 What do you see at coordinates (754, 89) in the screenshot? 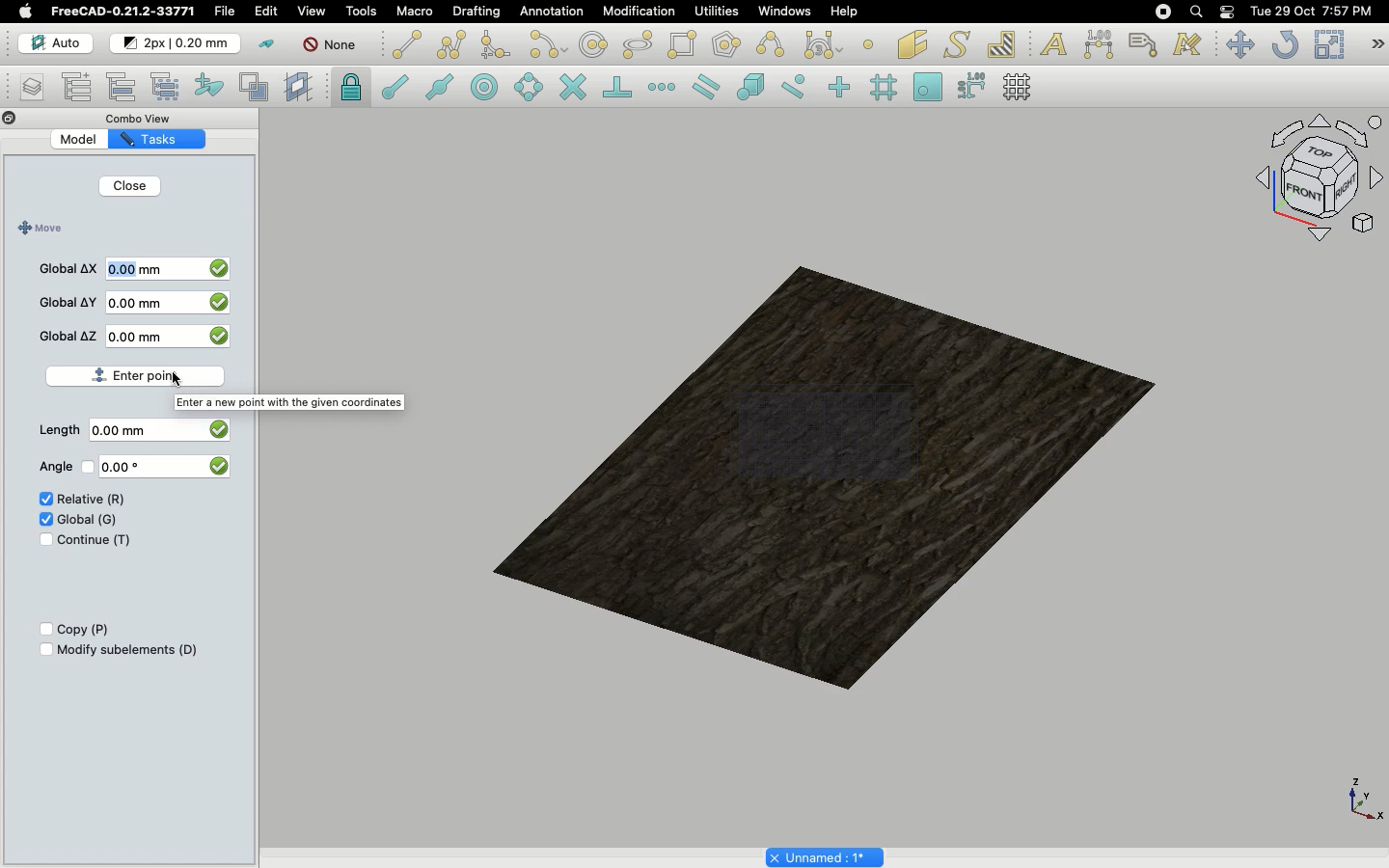
I see `Snap special ` at bounding box center [754, 89].